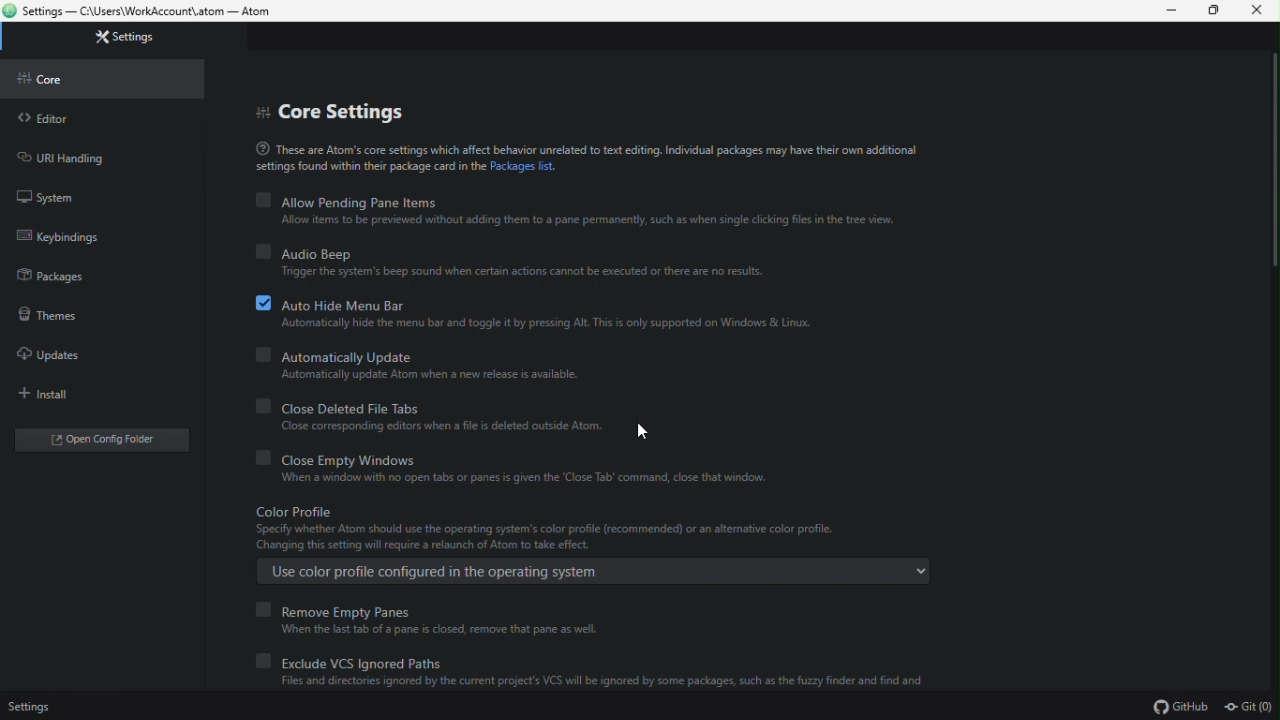 The image size is (1280, 720). What do you see at coordinates (337, 459) in the screenshot?
I see `Close Empty Windows` at bounding box center [337, 459].